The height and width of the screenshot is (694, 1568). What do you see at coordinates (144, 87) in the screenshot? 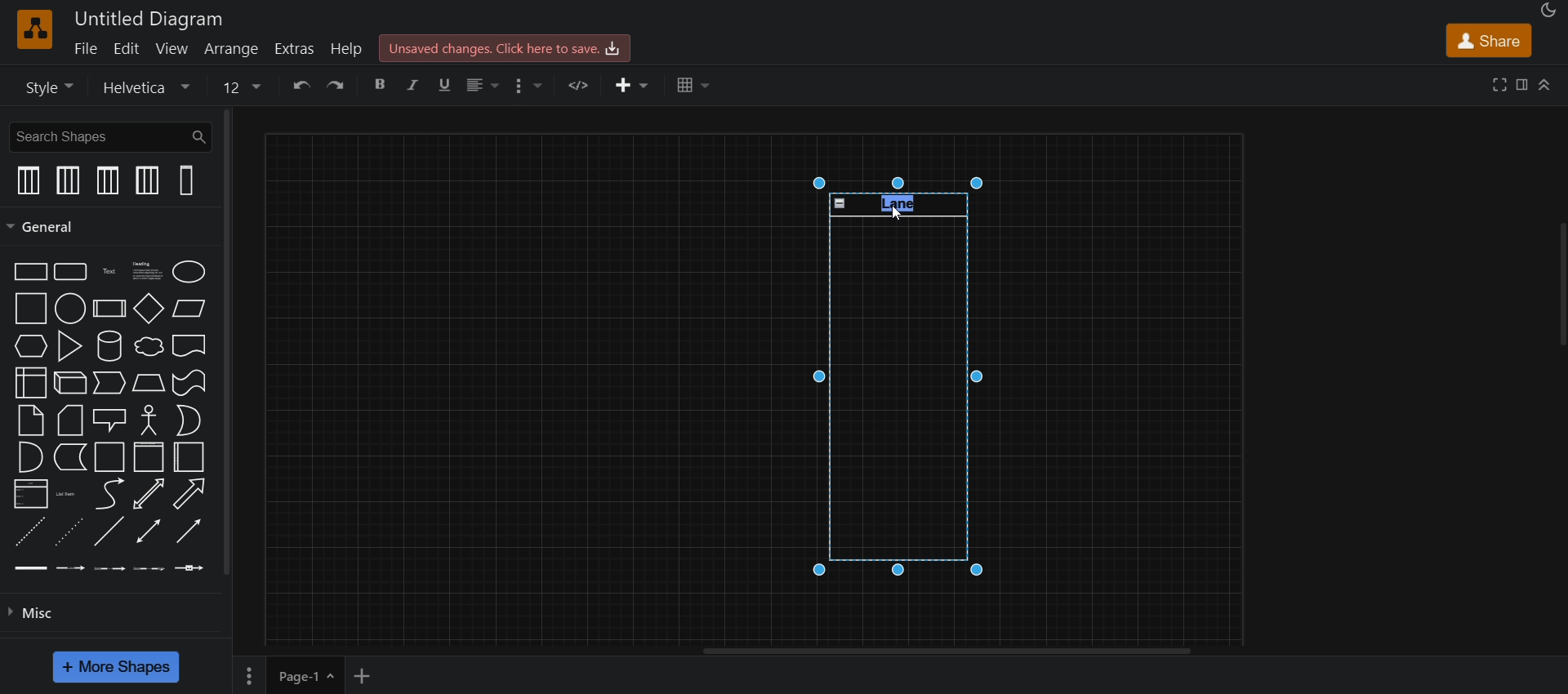
I see `font family` at bounding box center [144, 87].